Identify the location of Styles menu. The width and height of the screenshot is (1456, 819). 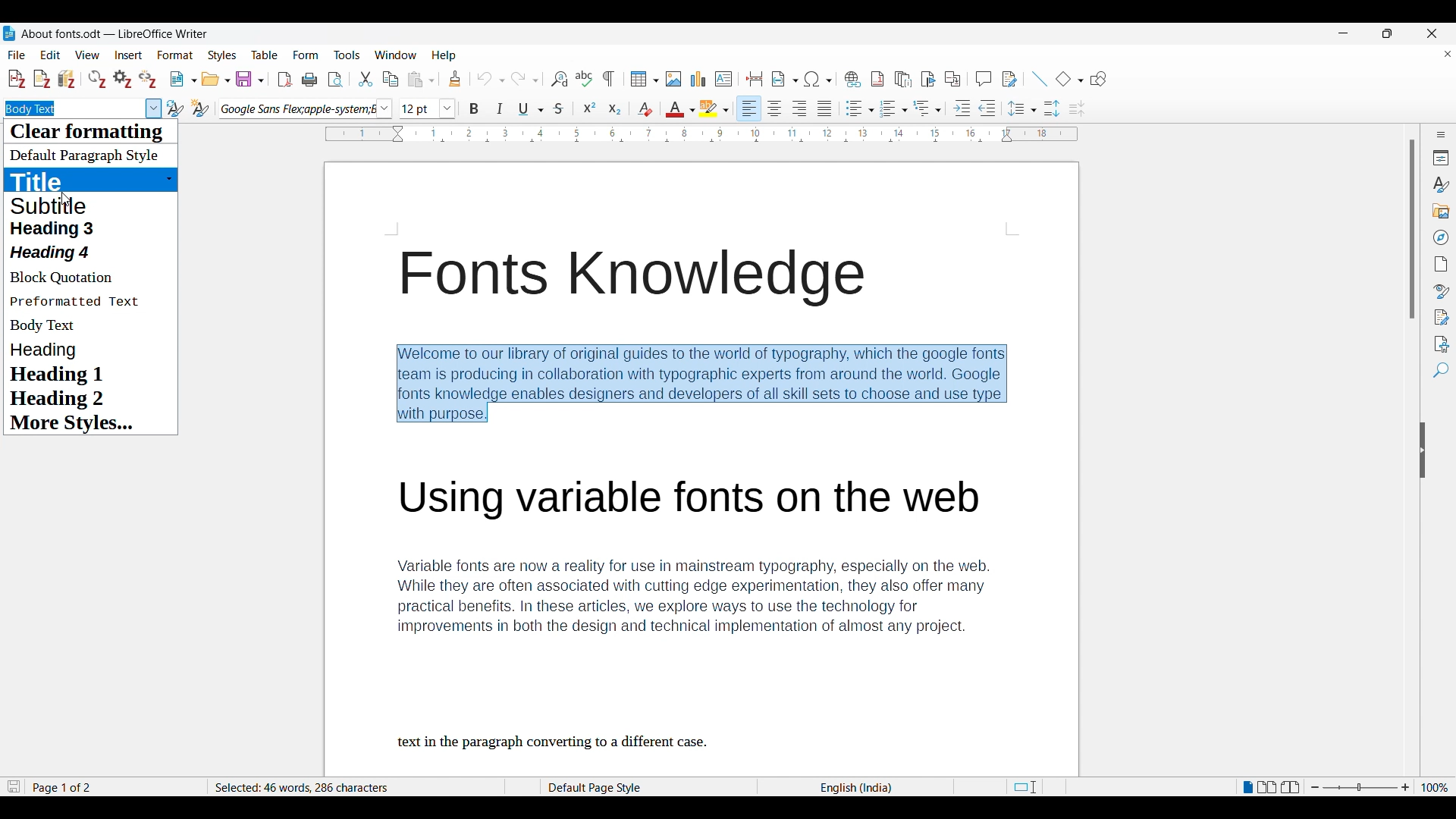
(222, 55).